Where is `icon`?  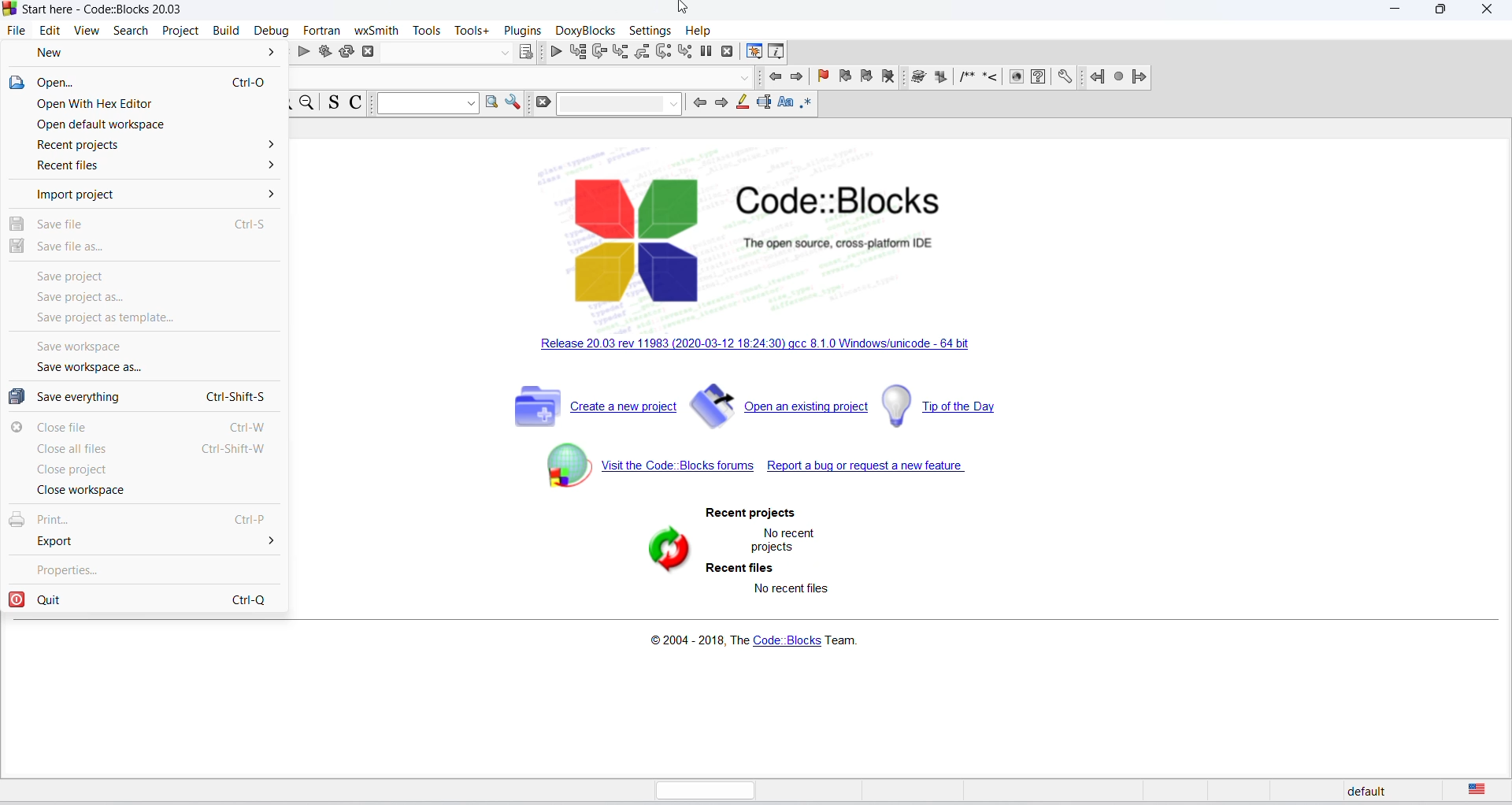
icon is located at coordinates (966, 78).